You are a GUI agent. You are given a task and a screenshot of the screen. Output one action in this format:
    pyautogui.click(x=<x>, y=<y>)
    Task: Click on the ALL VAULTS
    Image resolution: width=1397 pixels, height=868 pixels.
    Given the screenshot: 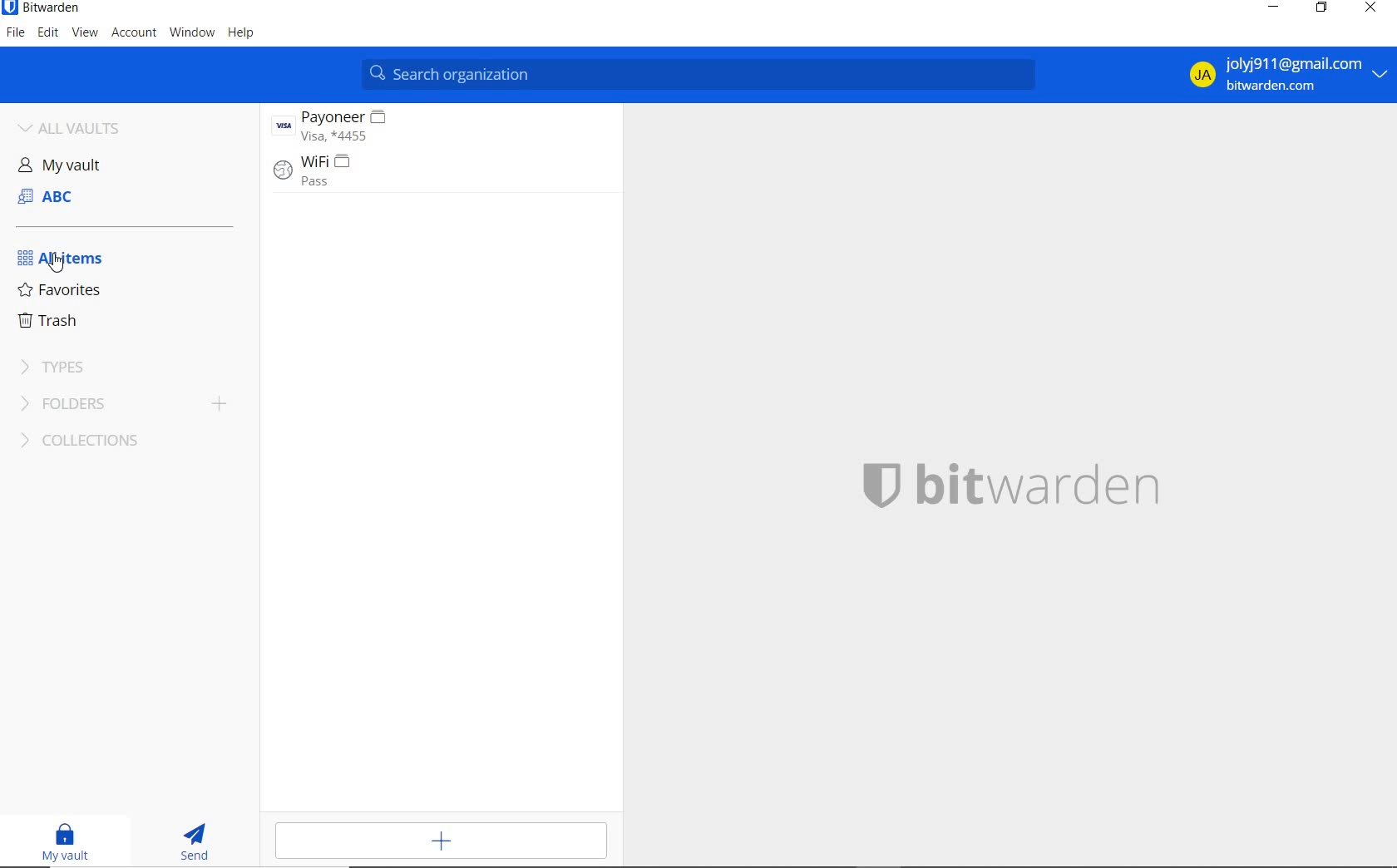 What is the action you would take?
    pyautogui.click(x=83, y=126)
    